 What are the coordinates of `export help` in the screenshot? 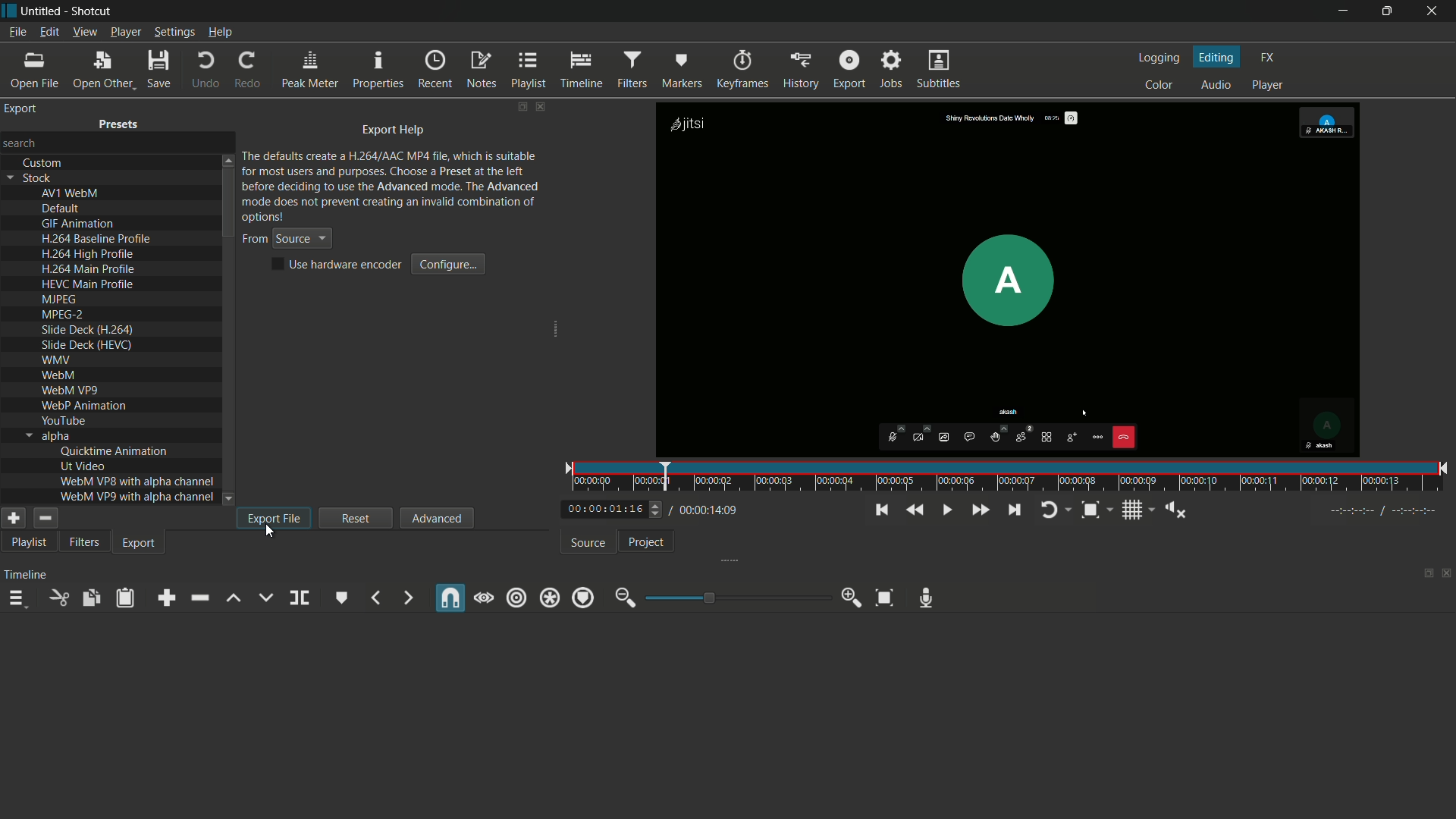 It's located at (395, 129).